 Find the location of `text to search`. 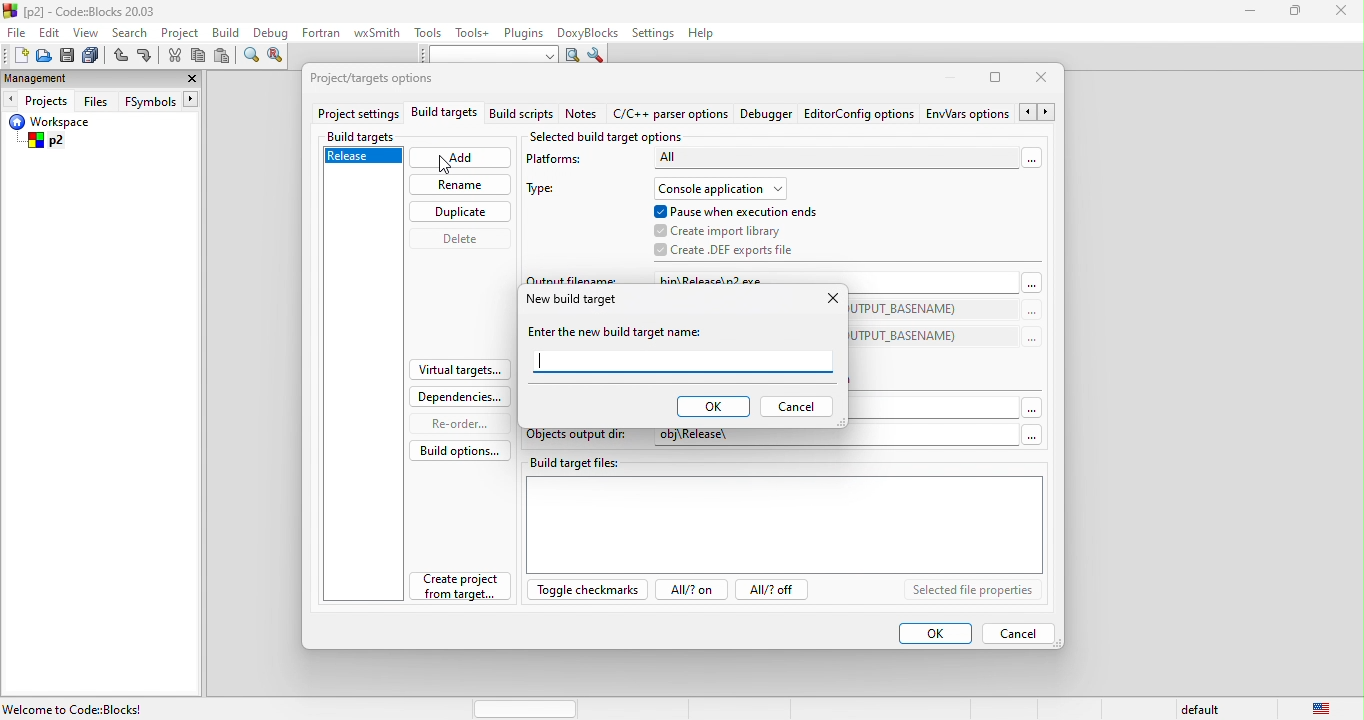

text to search is located at coordinates (483, 55).